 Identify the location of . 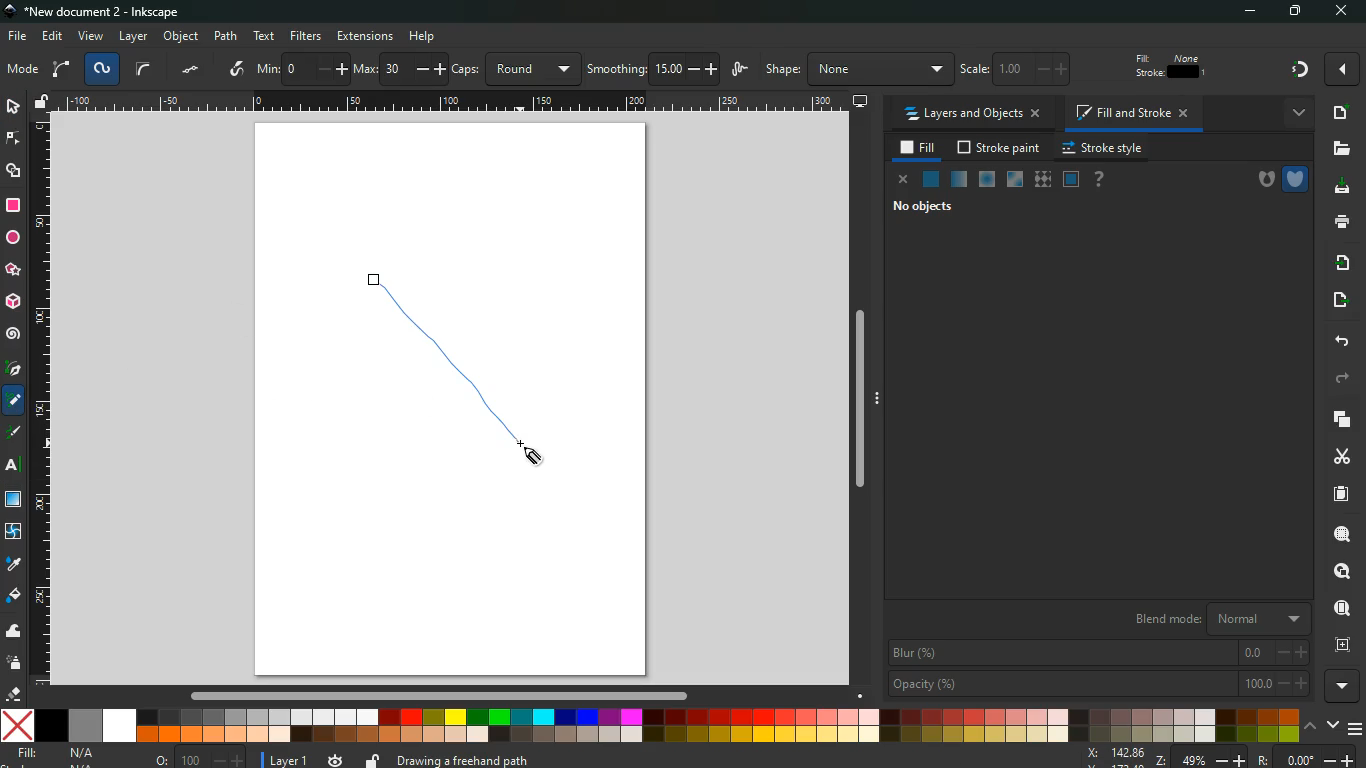
(1340, 13).